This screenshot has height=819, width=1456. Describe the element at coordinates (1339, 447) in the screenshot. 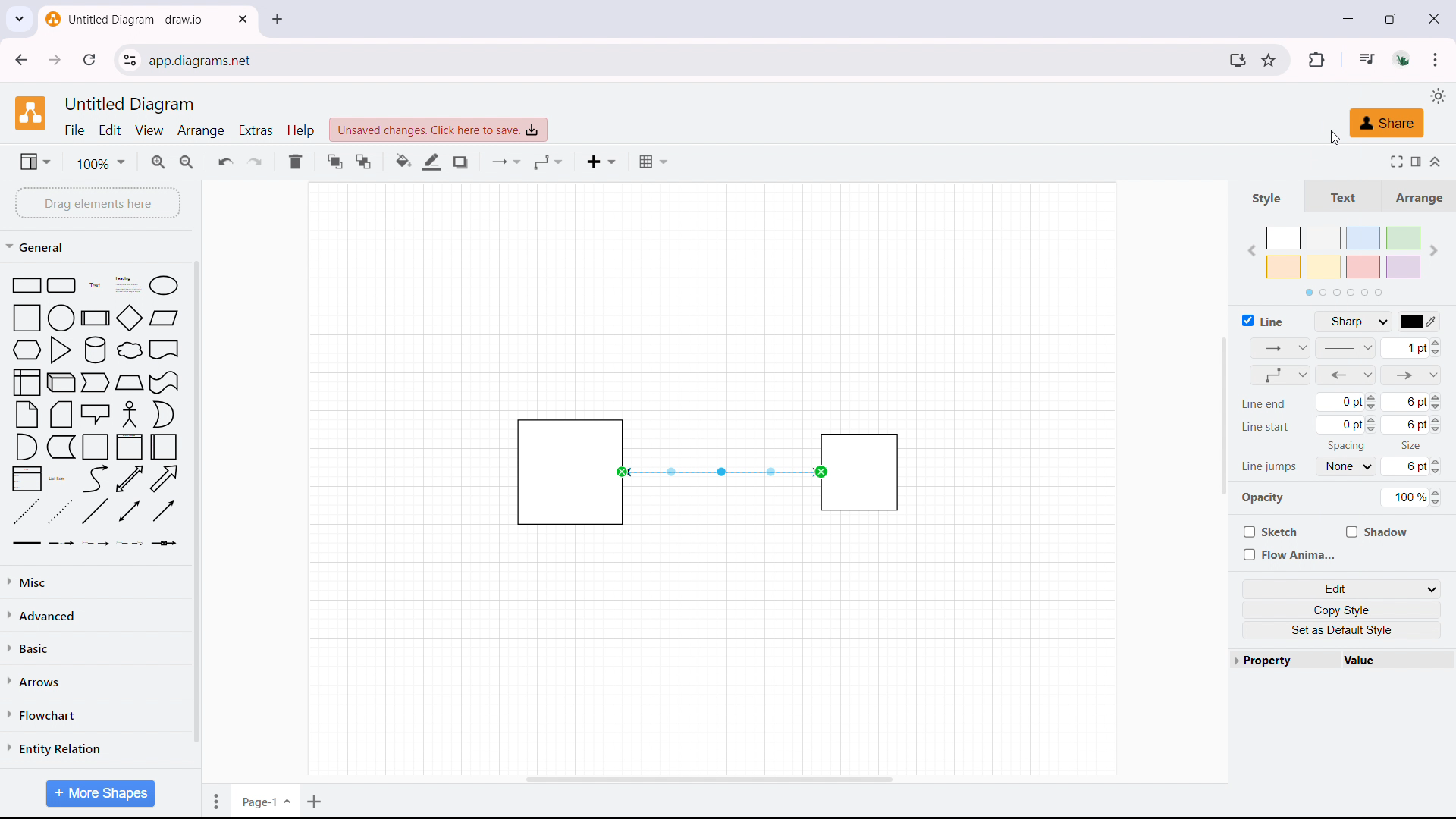

I see `Spacing` at that location.